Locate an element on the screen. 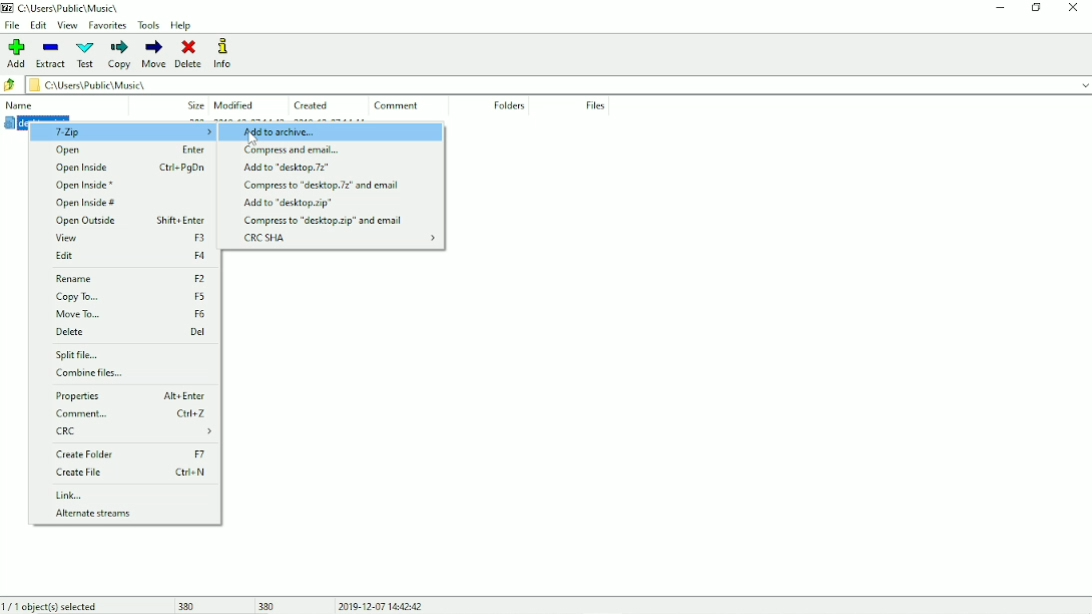  Test is located at coordinates (86, 55).